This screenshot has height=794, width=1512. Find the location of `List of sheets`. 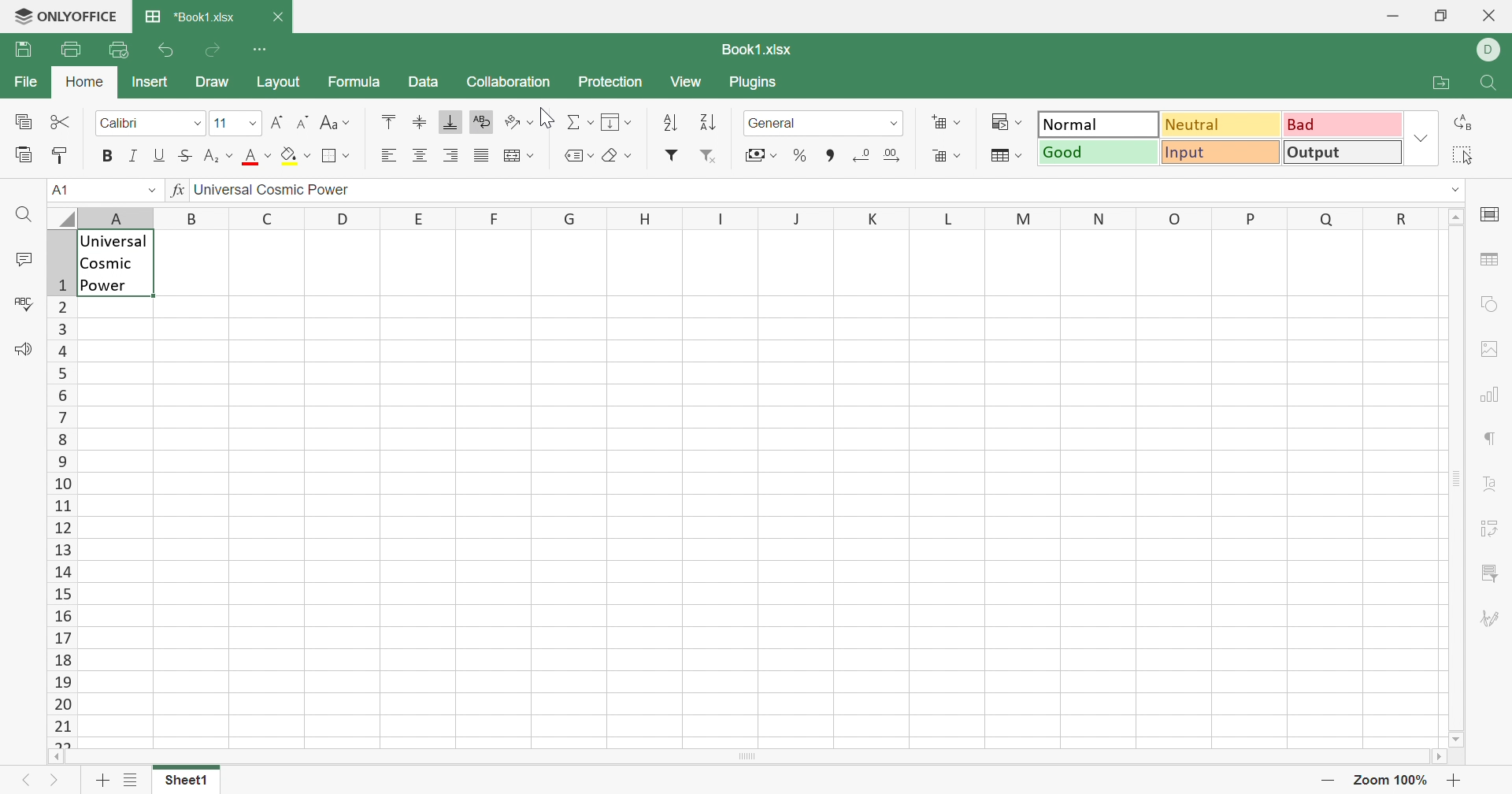

List of sheets is located at coordinates (133, 781).